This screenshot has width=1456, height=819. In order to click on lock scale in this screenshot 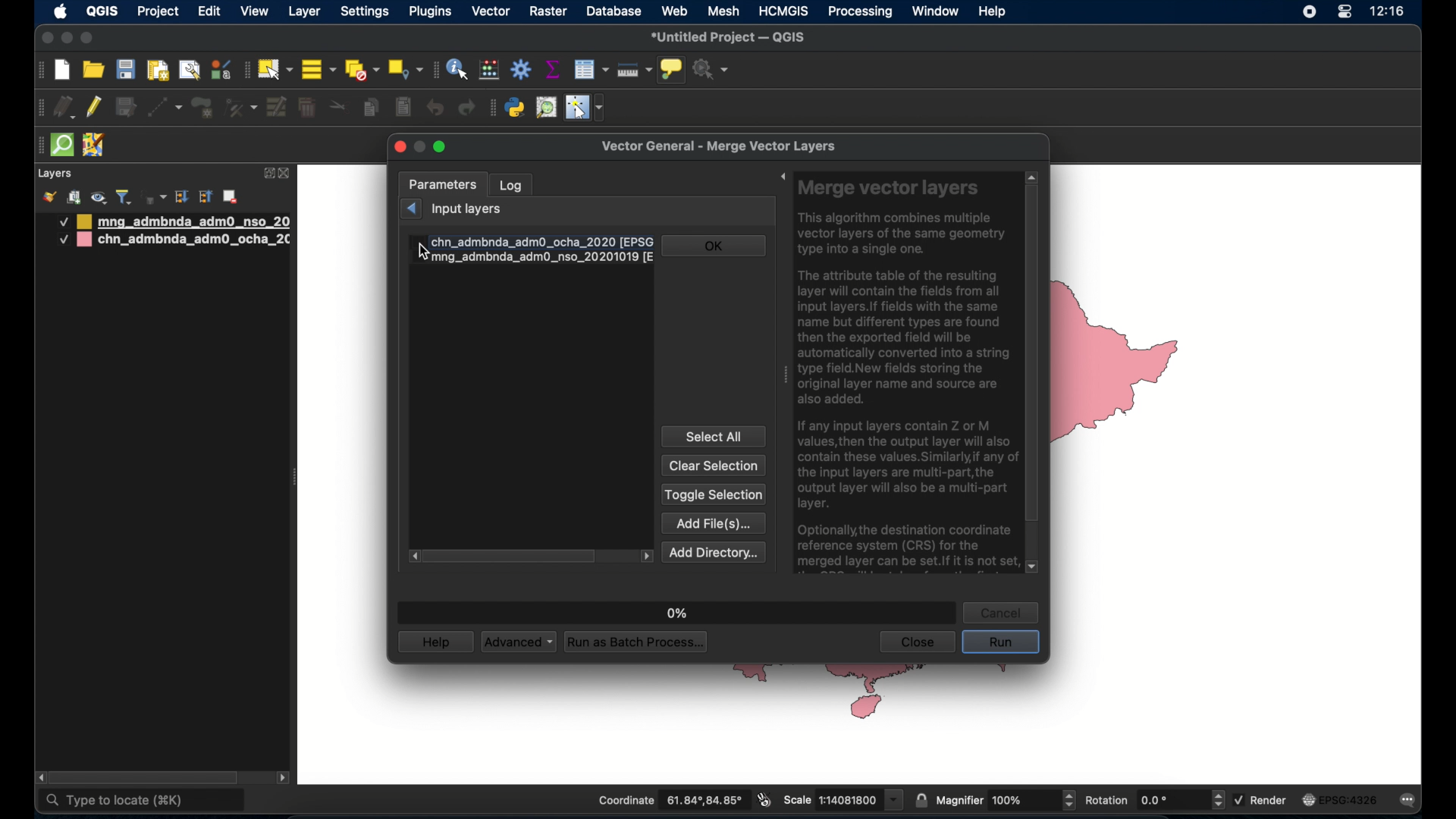, I will do `click(921, 799)`.